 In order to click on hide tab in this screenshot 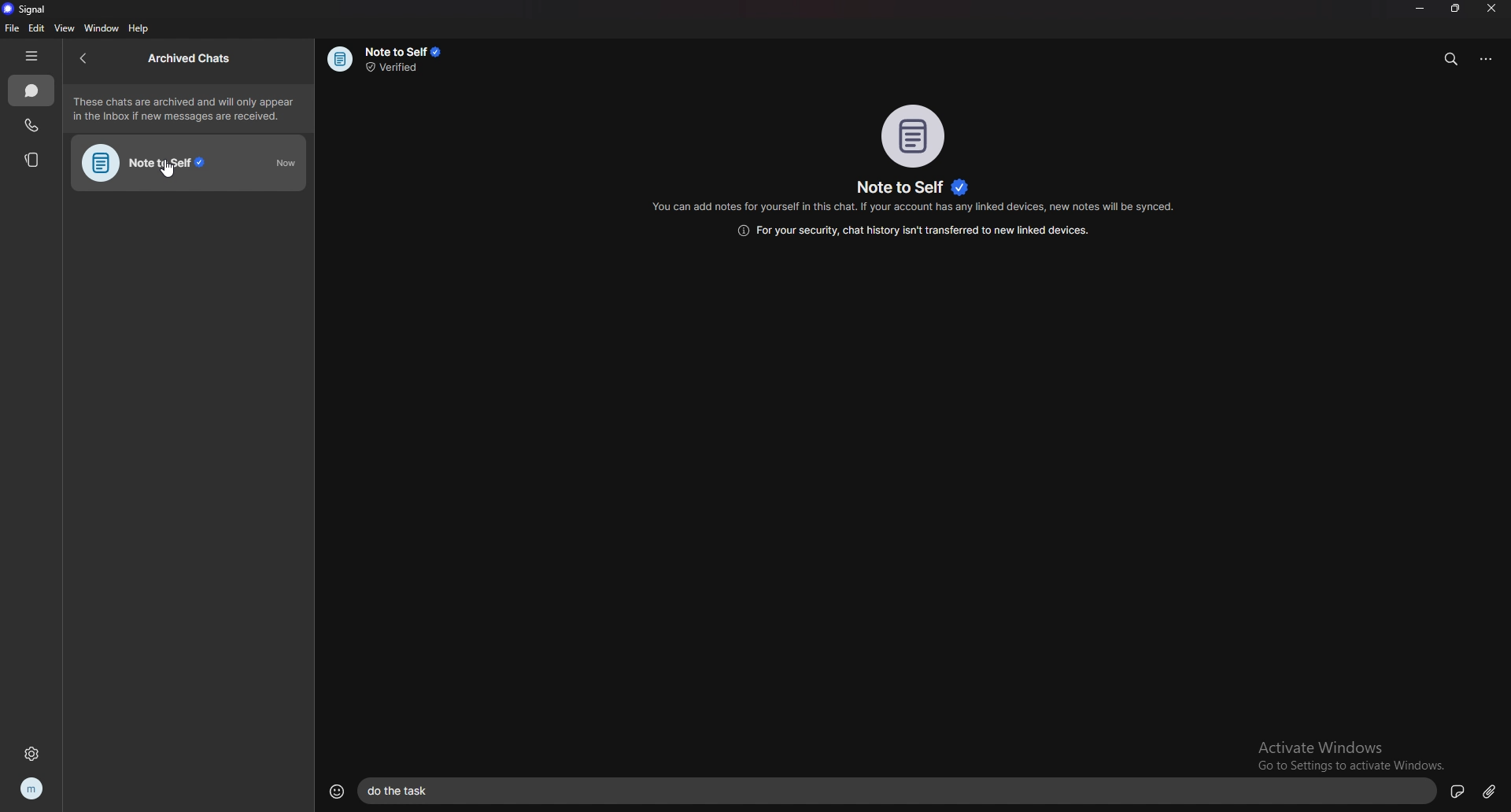, I will do `click(31, 56)`.